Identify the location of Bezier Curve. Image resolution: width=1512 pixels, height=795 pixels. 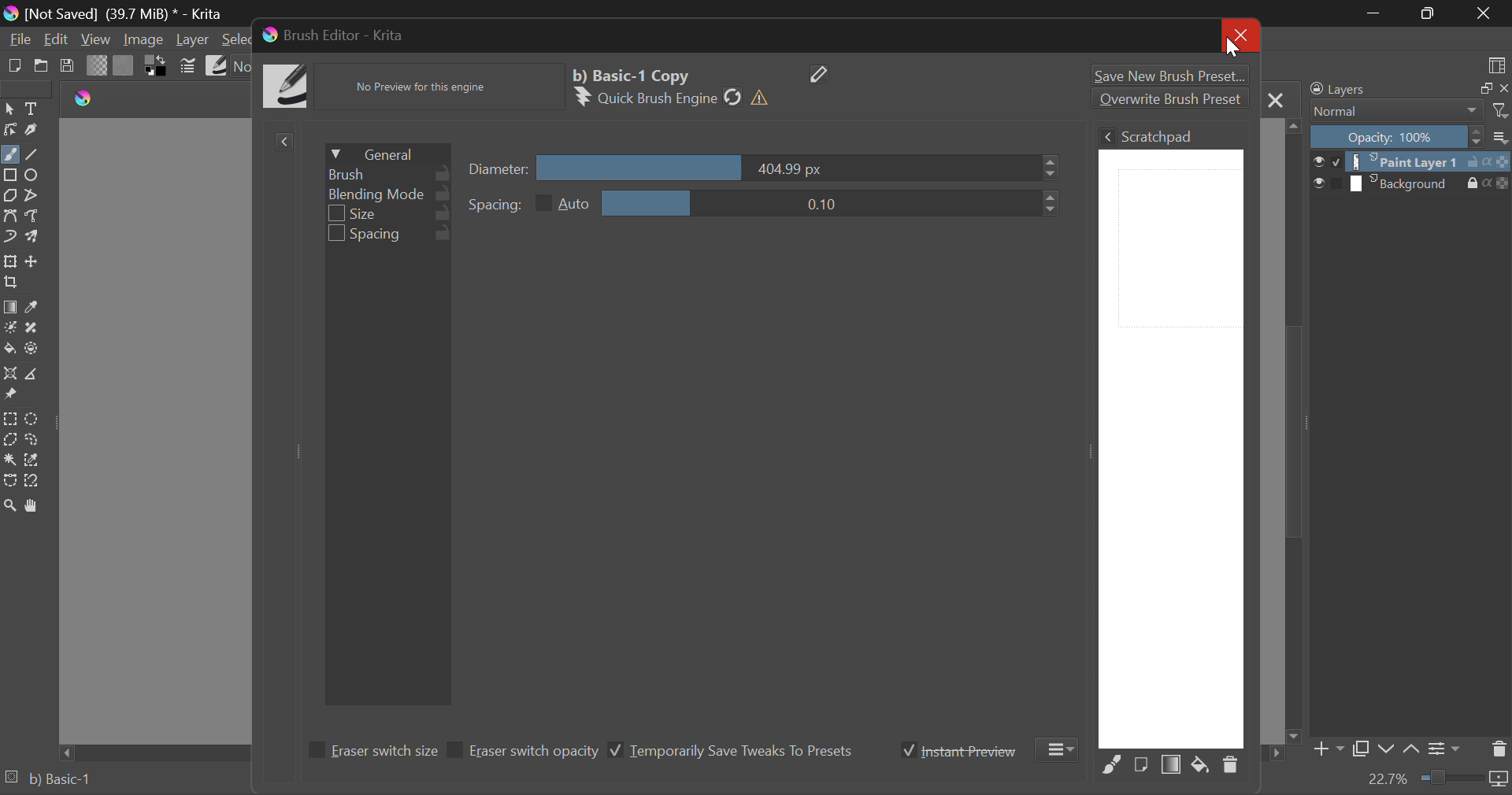
(13, 216).